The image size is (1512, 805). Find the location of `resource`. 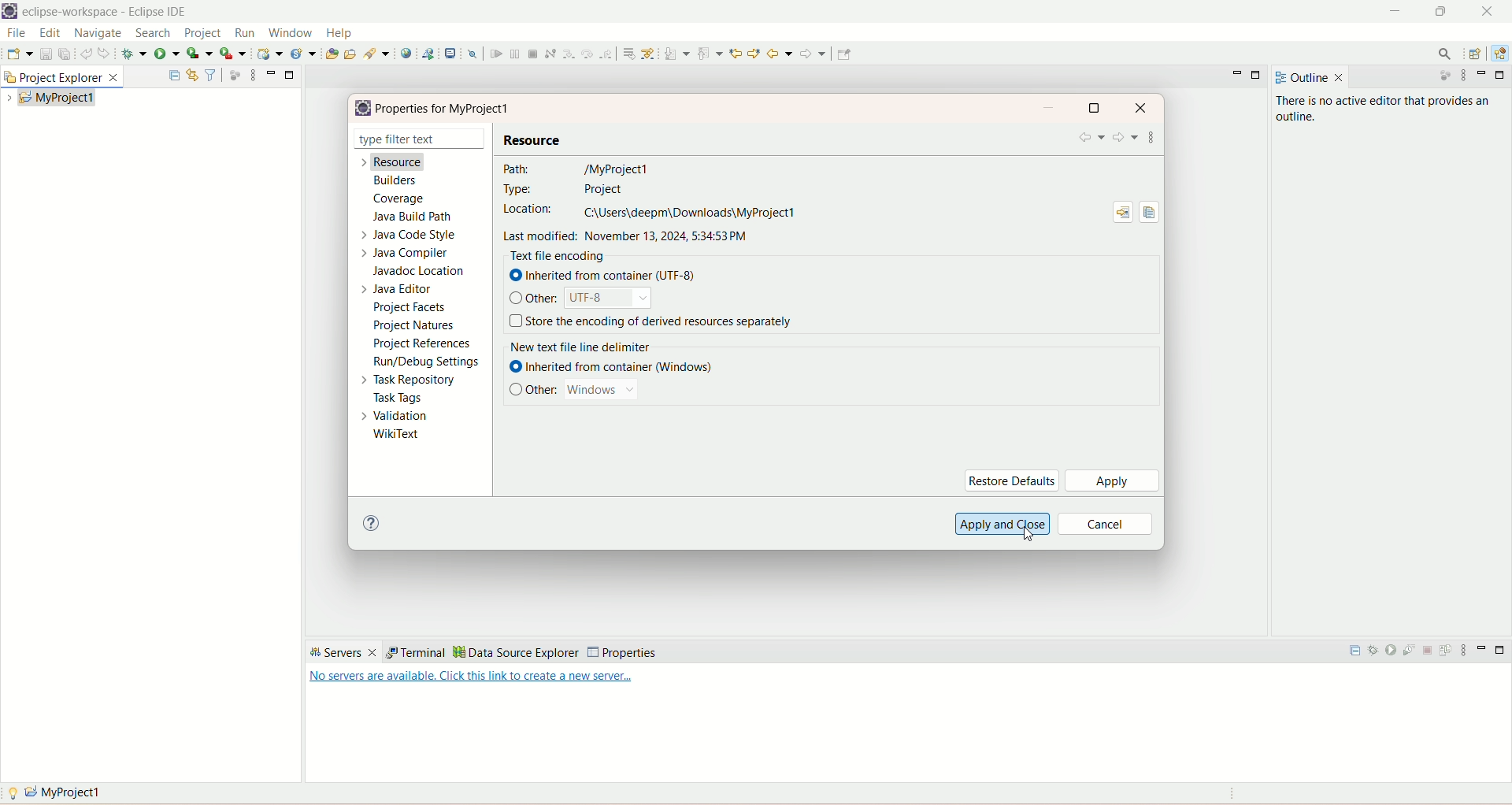

resource is located at coordinates (532, 139).